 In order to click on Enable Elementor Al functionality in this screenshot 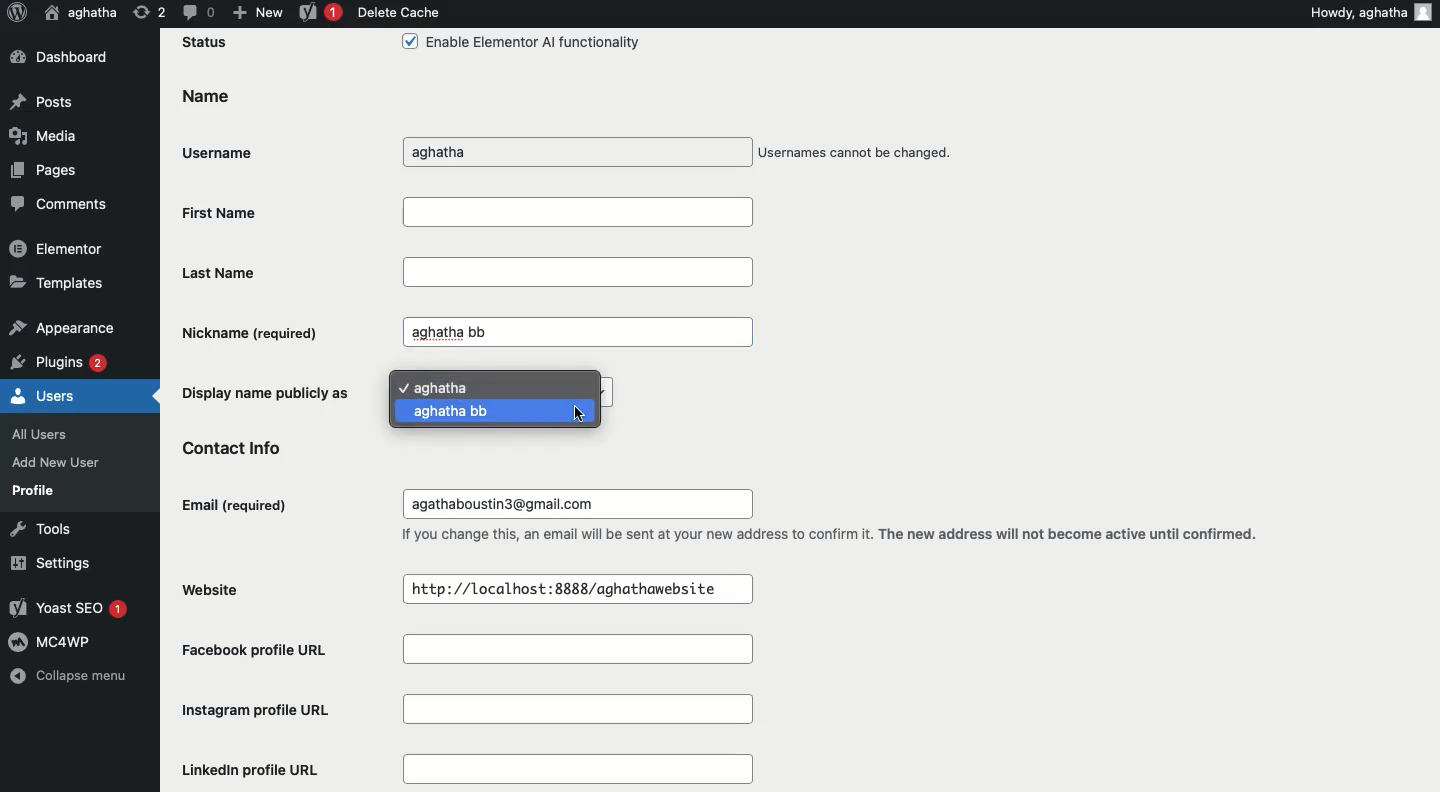, I will do `click(519, 44)`.